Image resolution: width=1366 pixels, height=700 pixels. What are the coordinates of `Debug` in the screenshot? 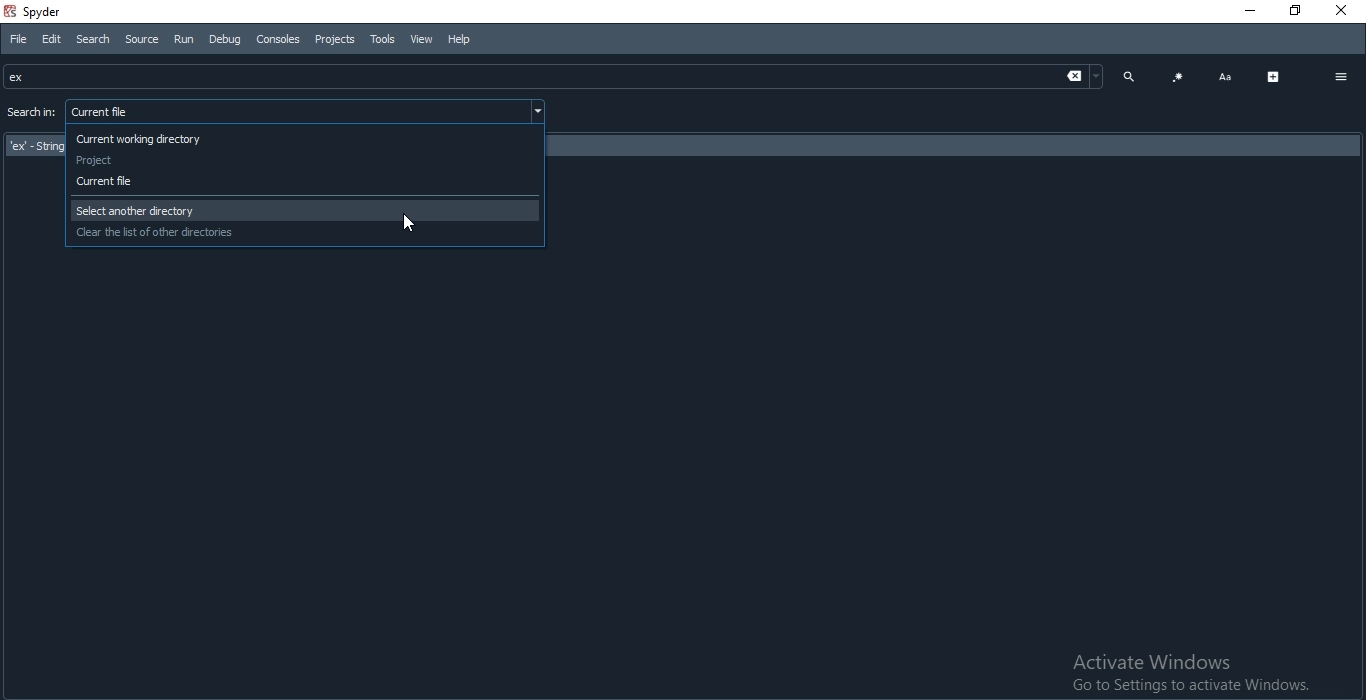 It's located at (226, 39).